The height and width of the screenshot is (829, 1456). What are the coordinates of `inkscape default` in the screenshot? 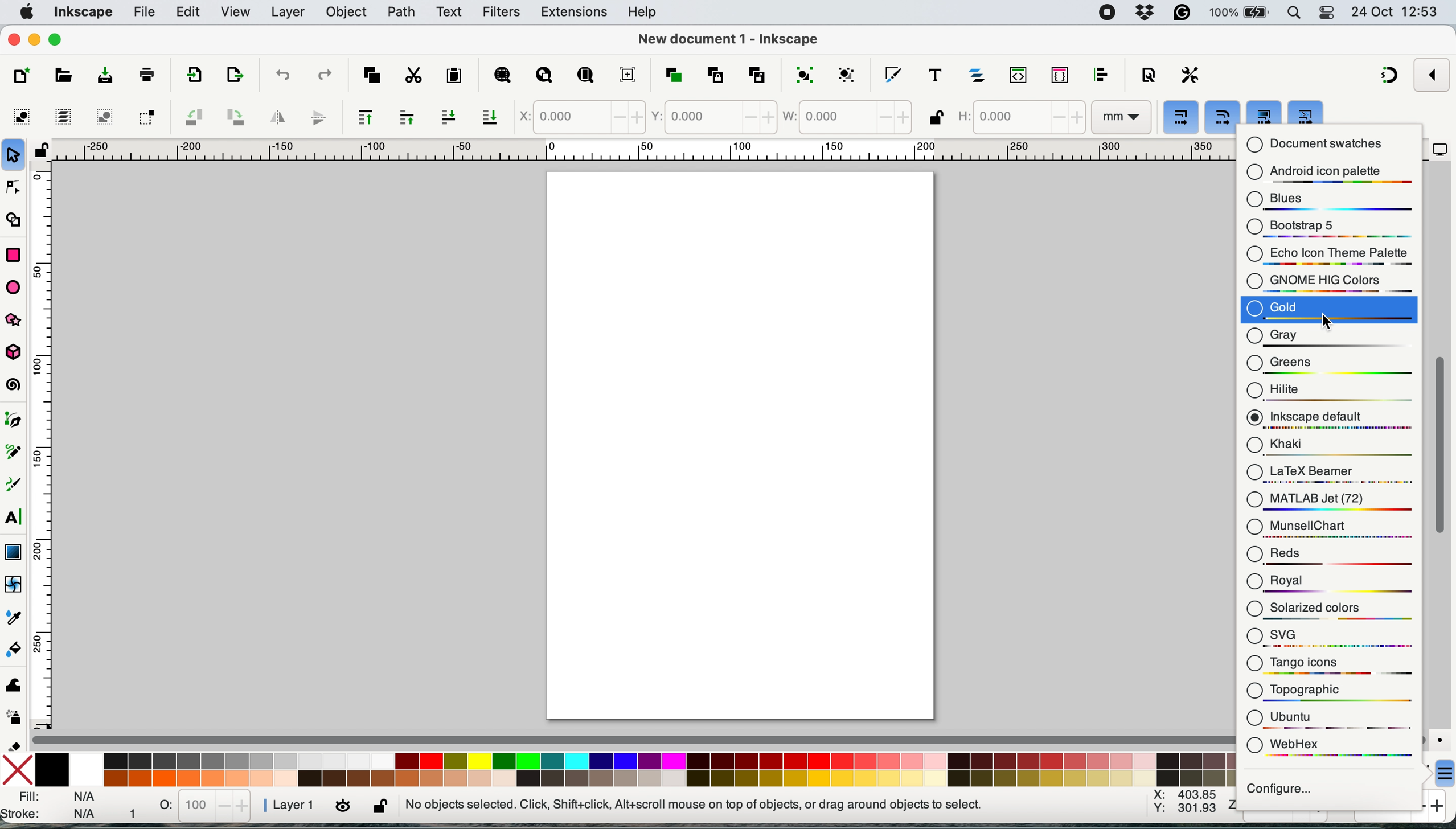 It's located at (1331, 417).